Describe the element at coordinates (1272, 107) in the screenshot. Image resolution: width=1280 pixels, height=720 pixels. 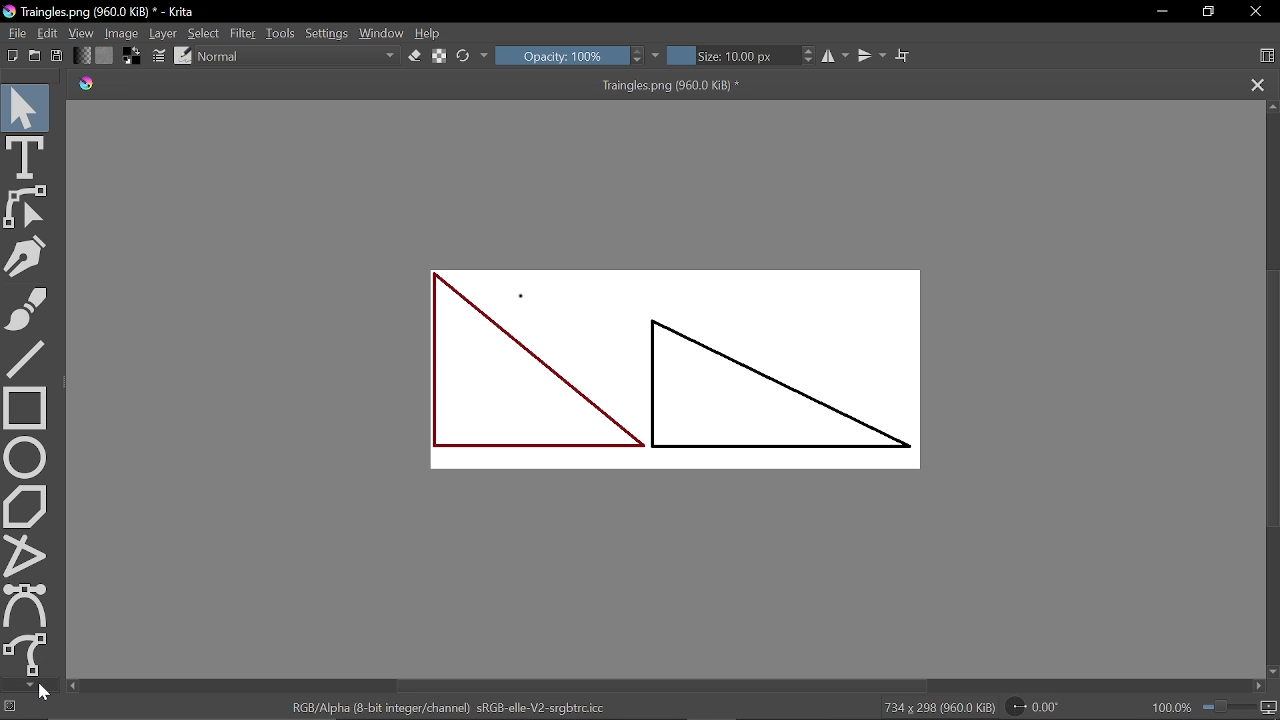
I see `Move up` at that location.